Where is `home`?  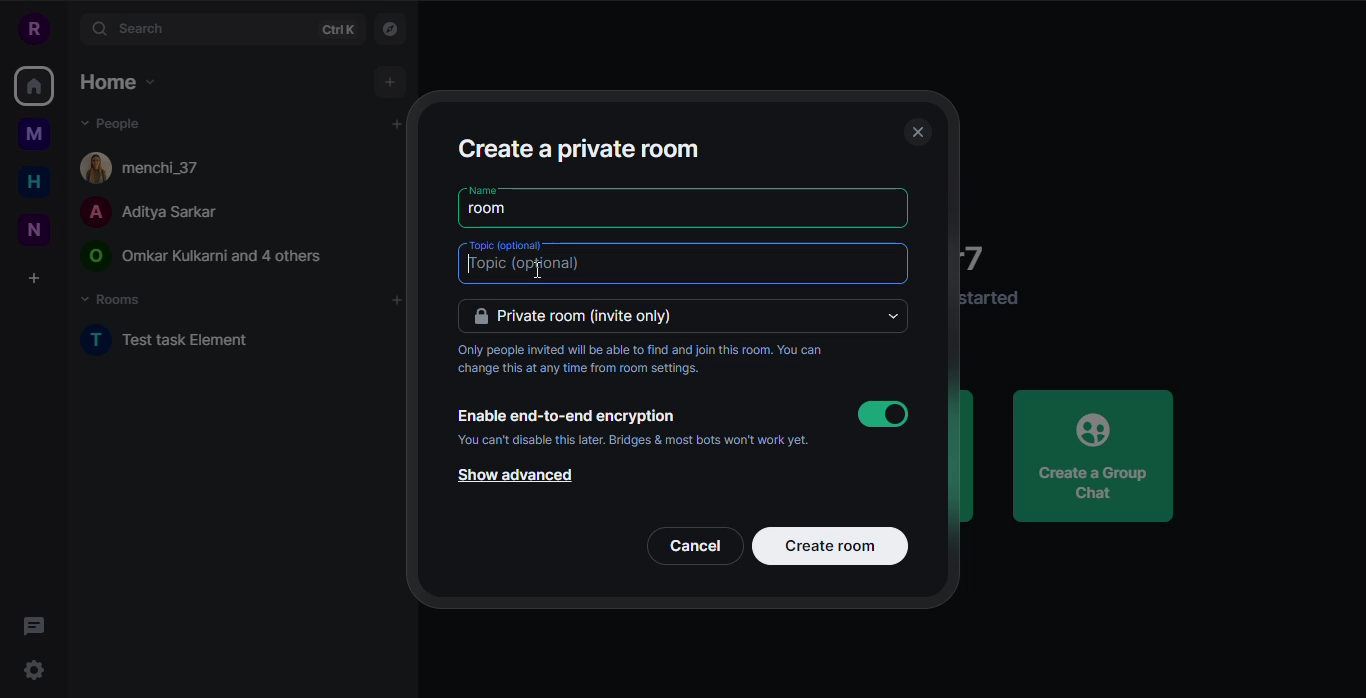
home is located at coordinates (34, 181).